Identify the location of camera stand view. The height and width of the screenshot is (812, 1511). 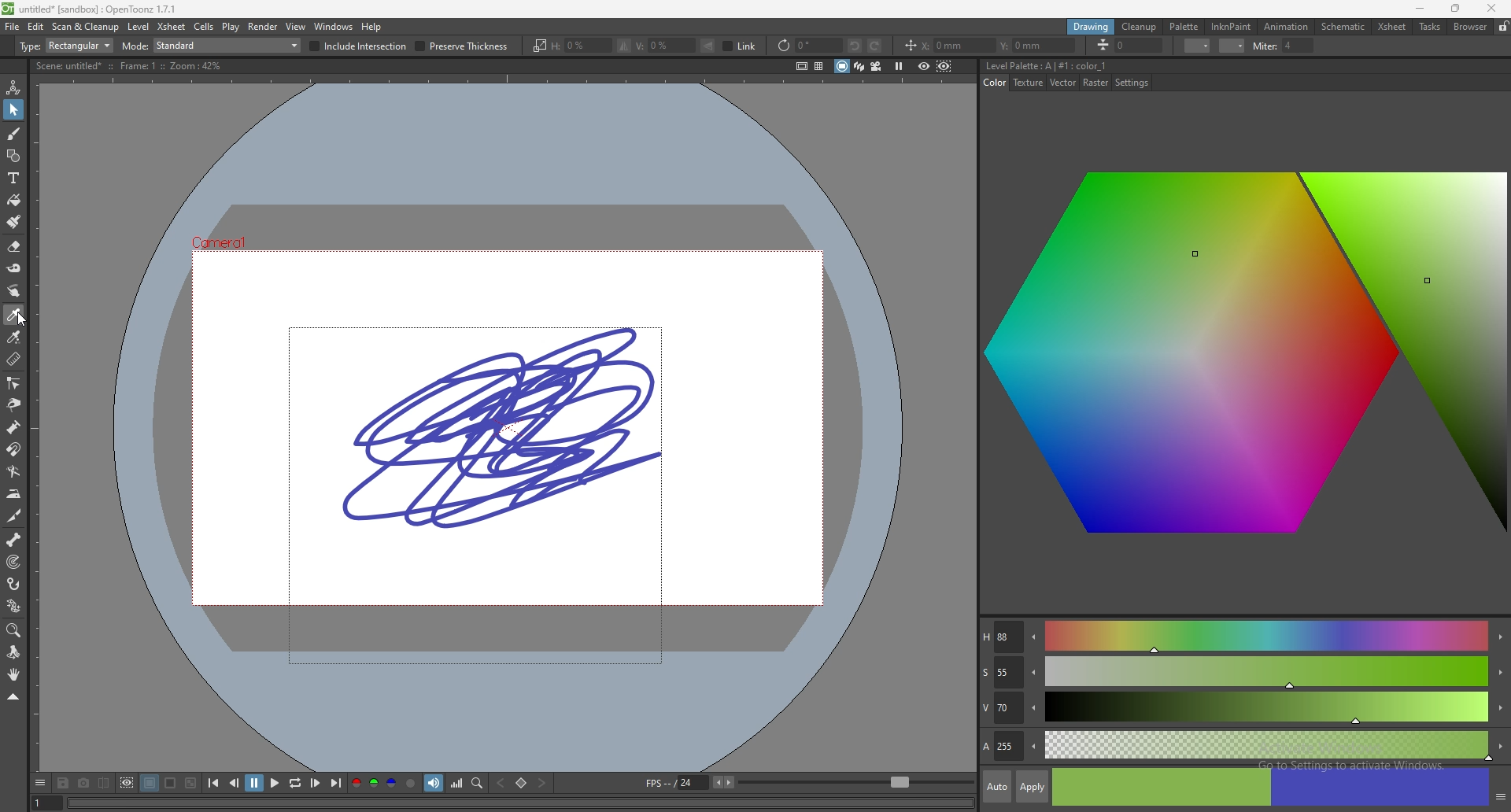
(840, 66).